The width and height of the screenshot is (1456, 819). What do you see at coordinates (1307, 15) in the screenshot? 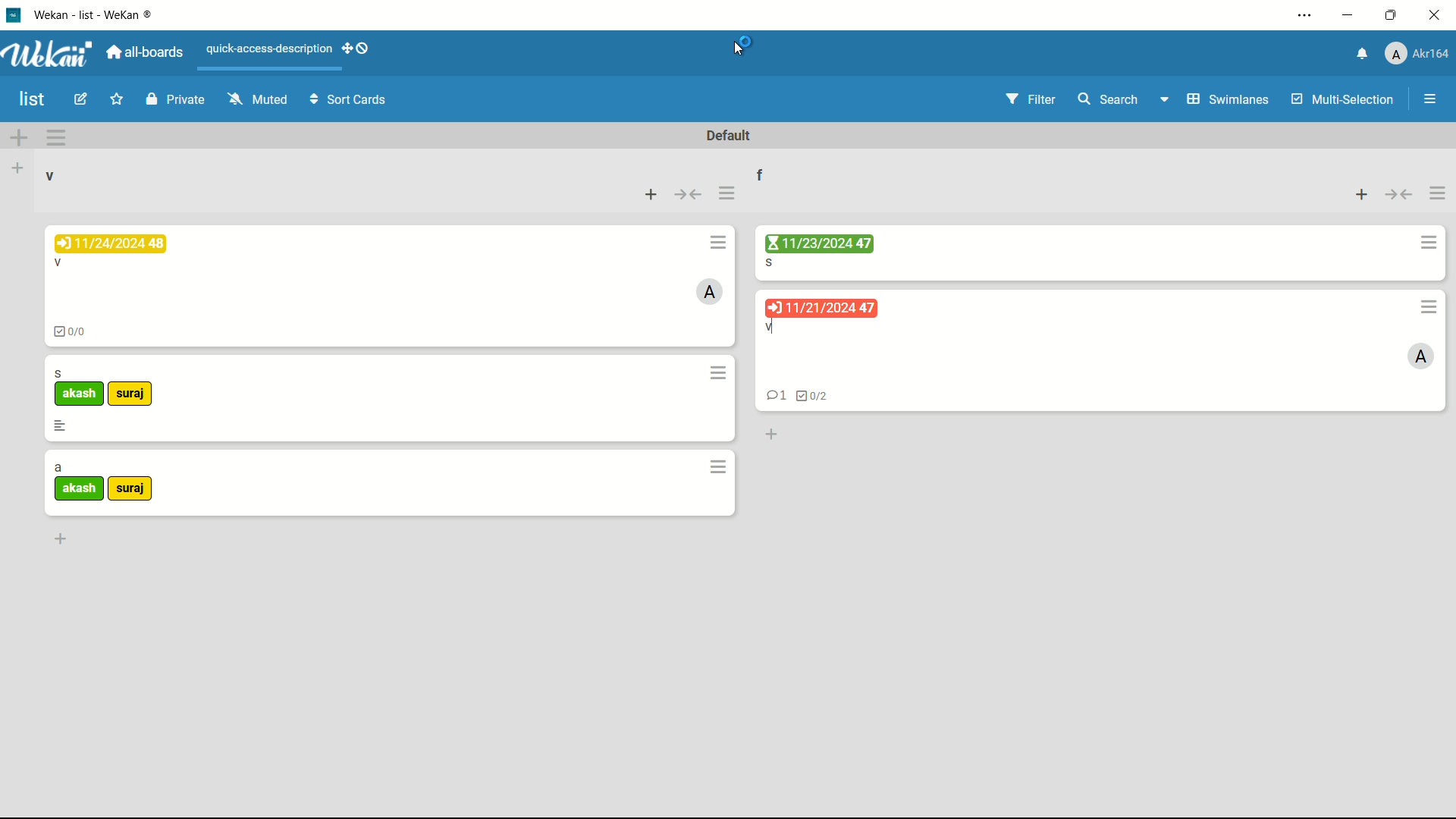
I see `settings and more` at bounding box center [1307, 15].